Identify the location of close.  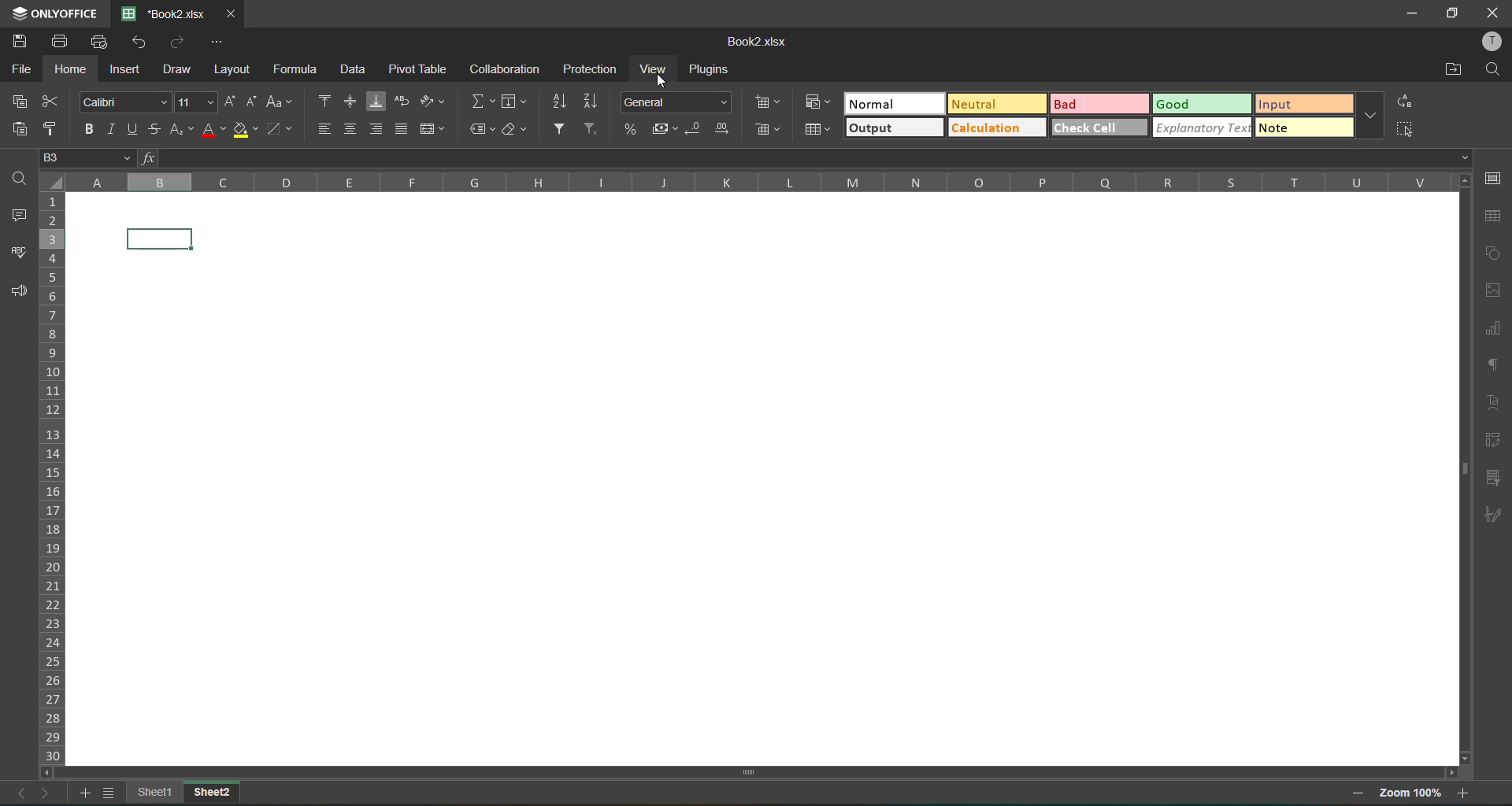
(1494, 12).